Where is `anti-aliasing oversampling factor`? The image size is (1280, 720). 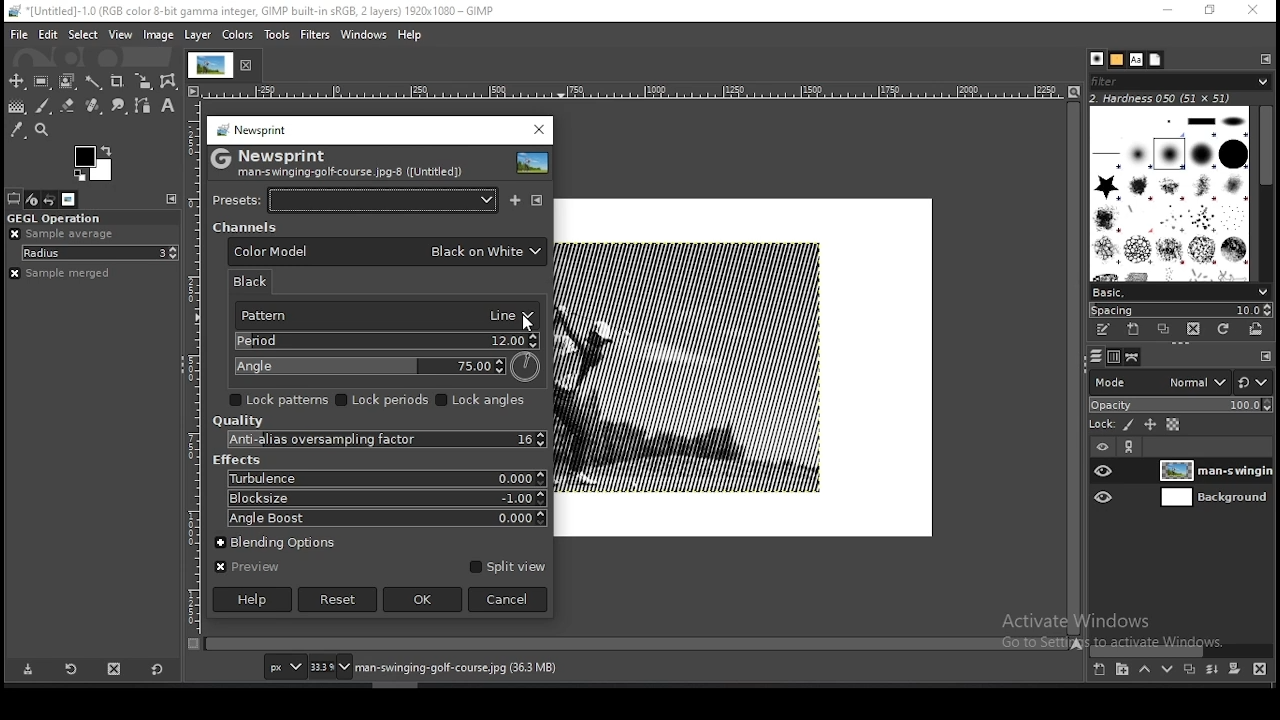
anti-aliasing oversampling factor is located at coordinates (379, 440).